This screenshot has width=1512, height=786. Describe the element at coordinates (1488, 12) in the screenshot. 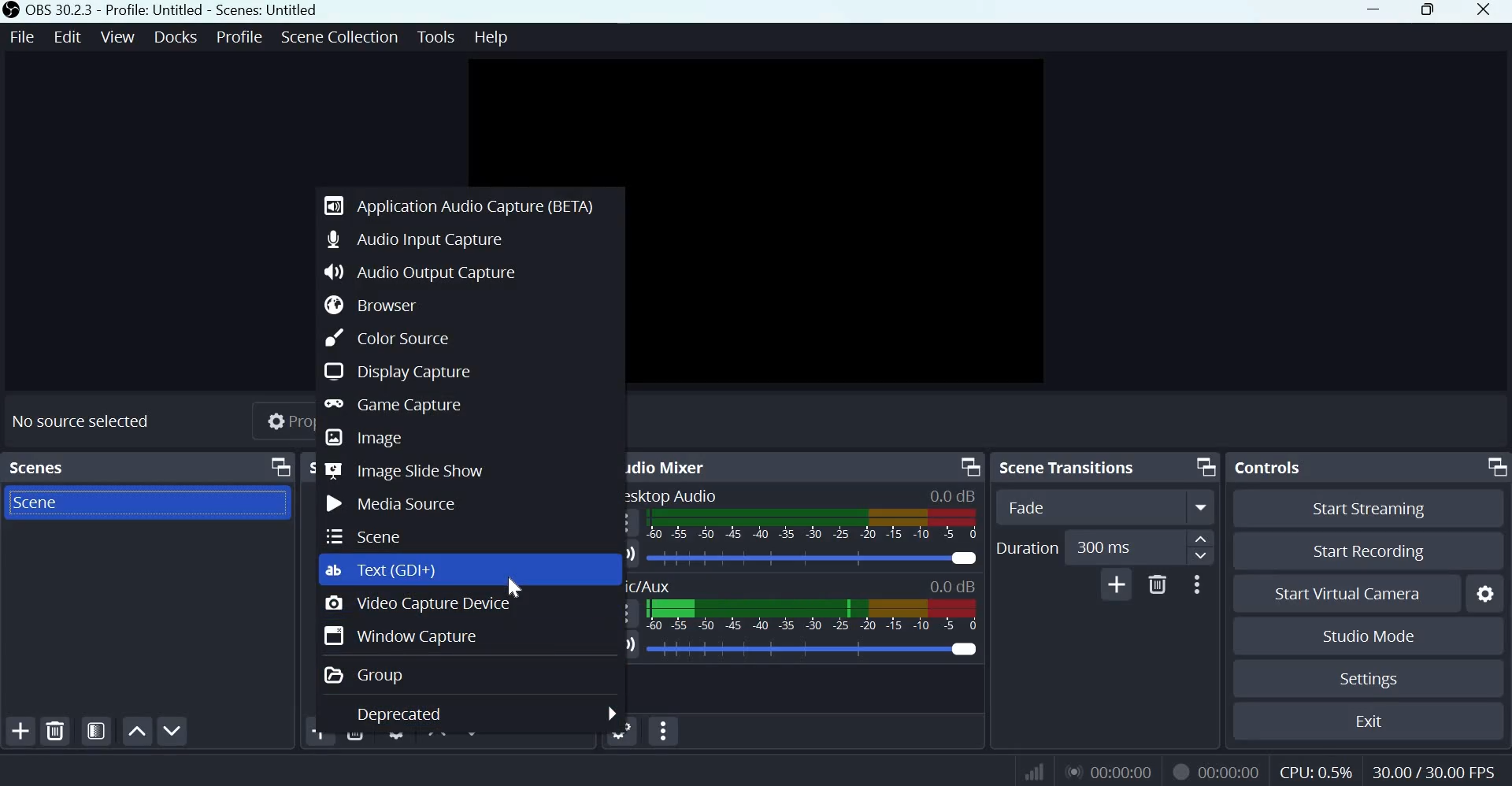

I see `Close` at that location.